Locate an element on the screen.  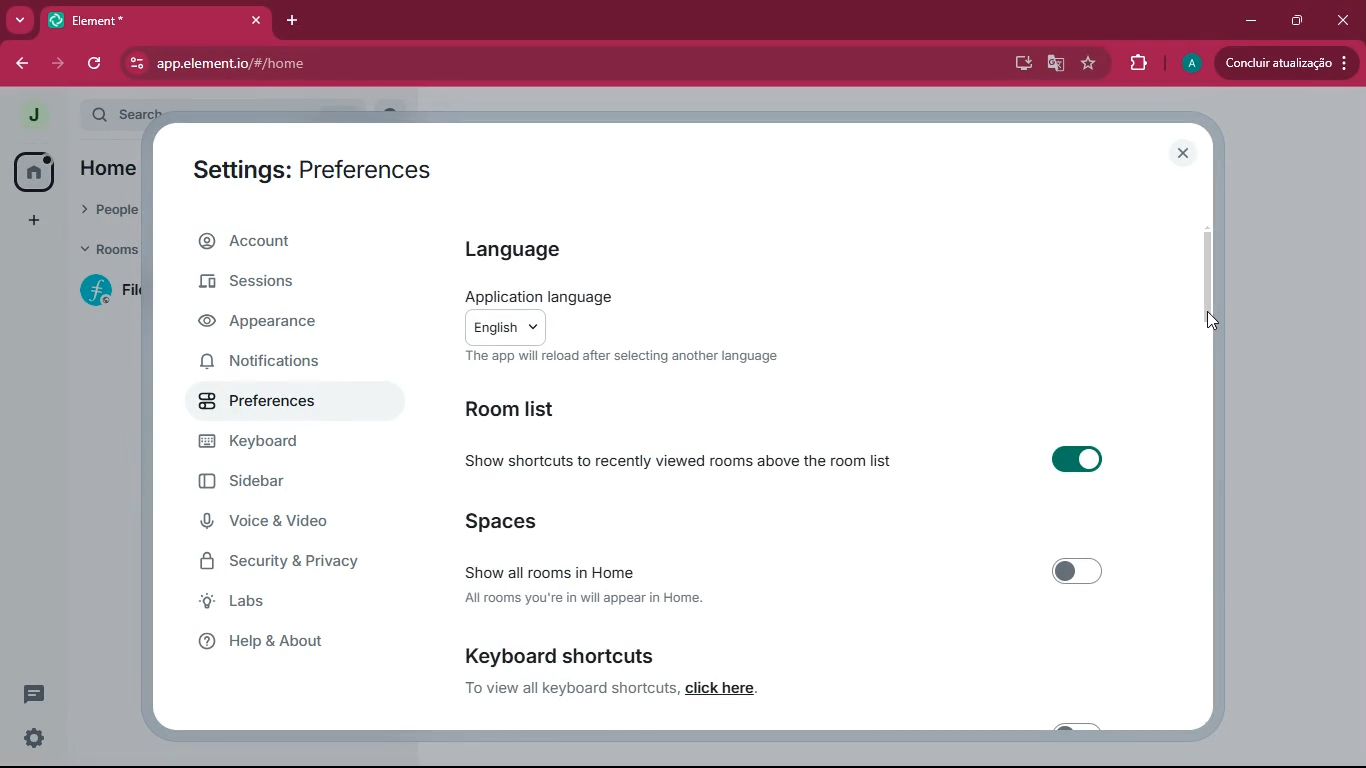
tab is located at coordinates (153, 20).